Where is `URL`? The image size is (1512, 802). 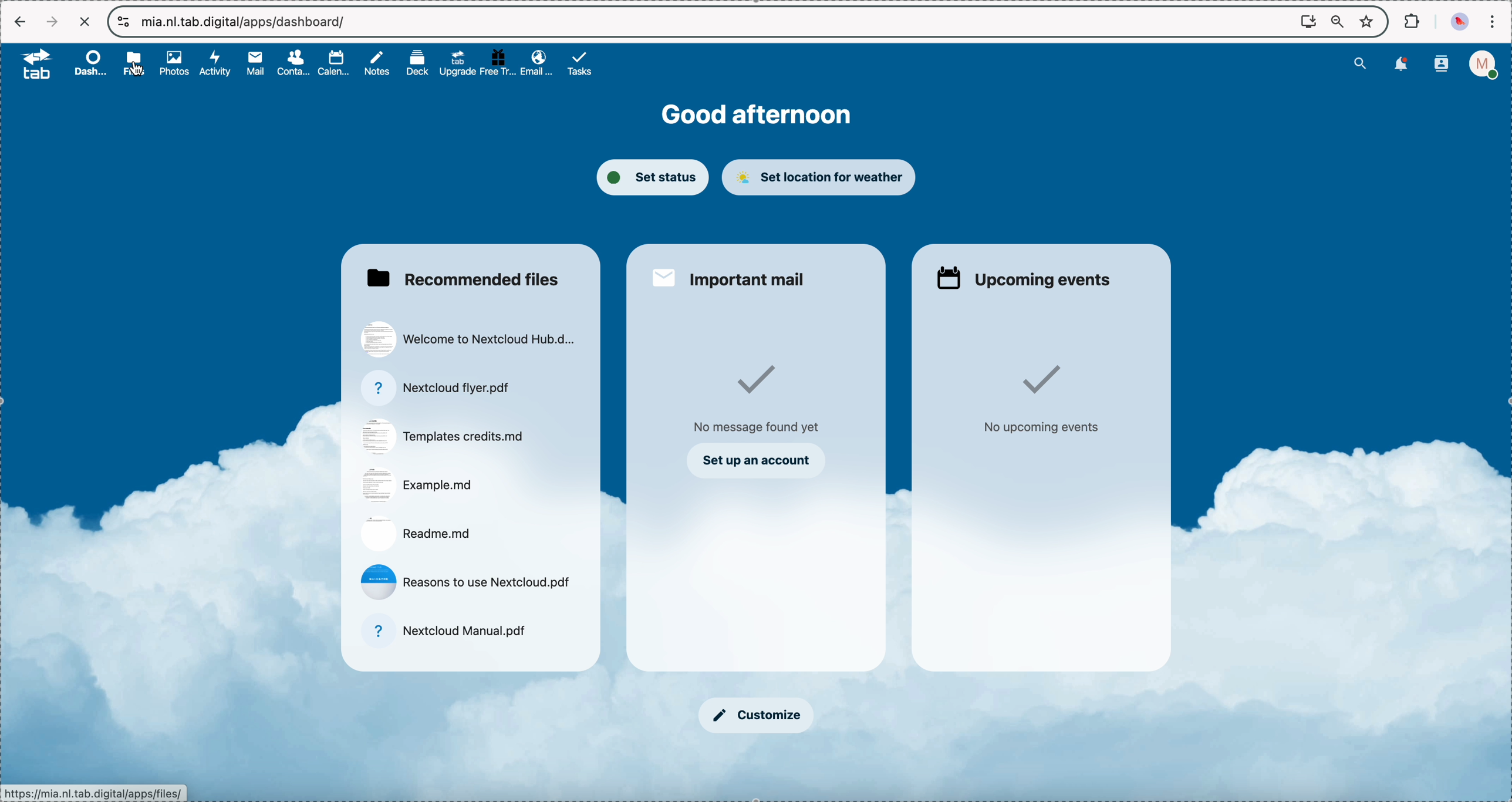 URL is located at coordinates (96, 793).